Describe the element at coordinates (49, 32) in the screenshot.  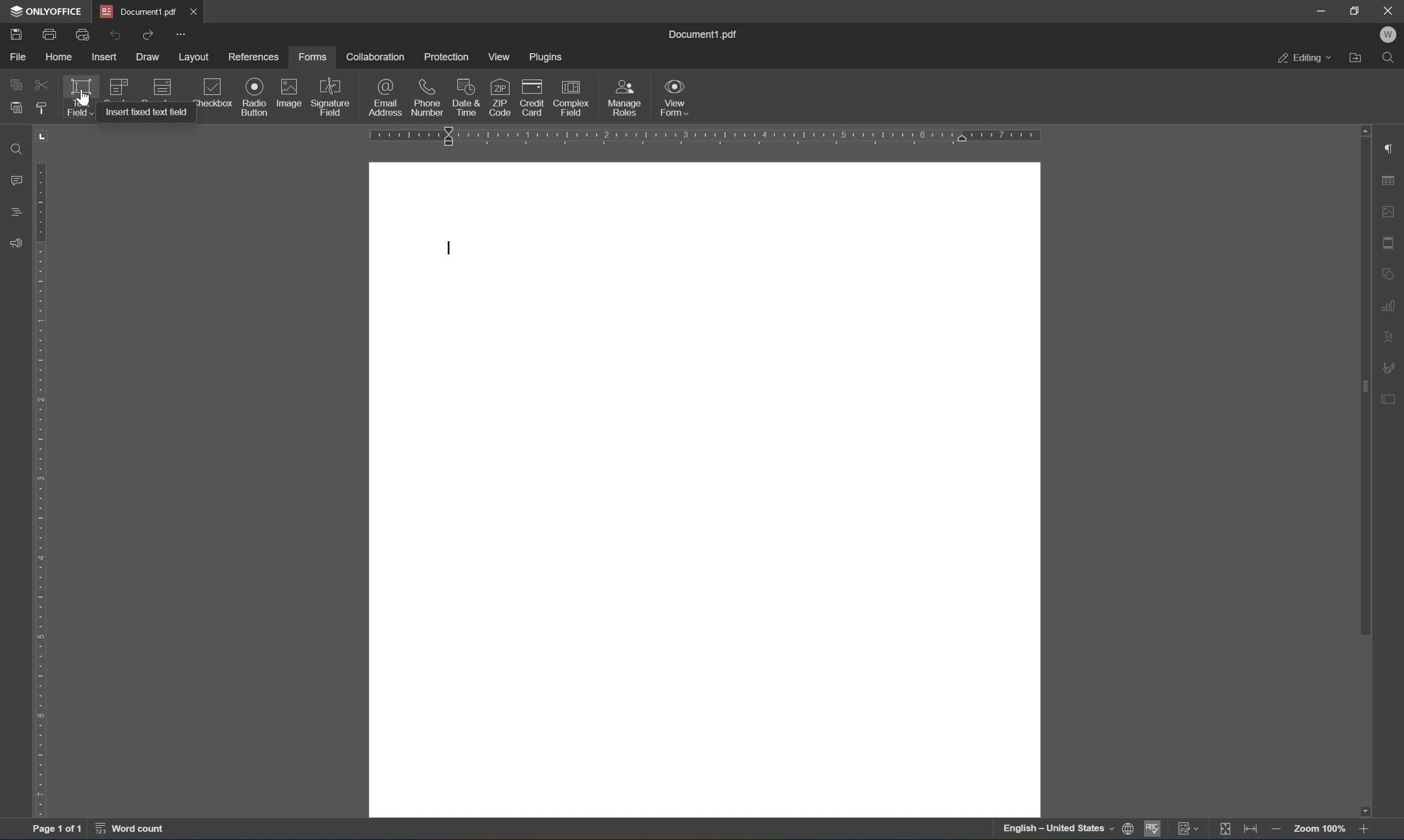
I see `print` at that location.